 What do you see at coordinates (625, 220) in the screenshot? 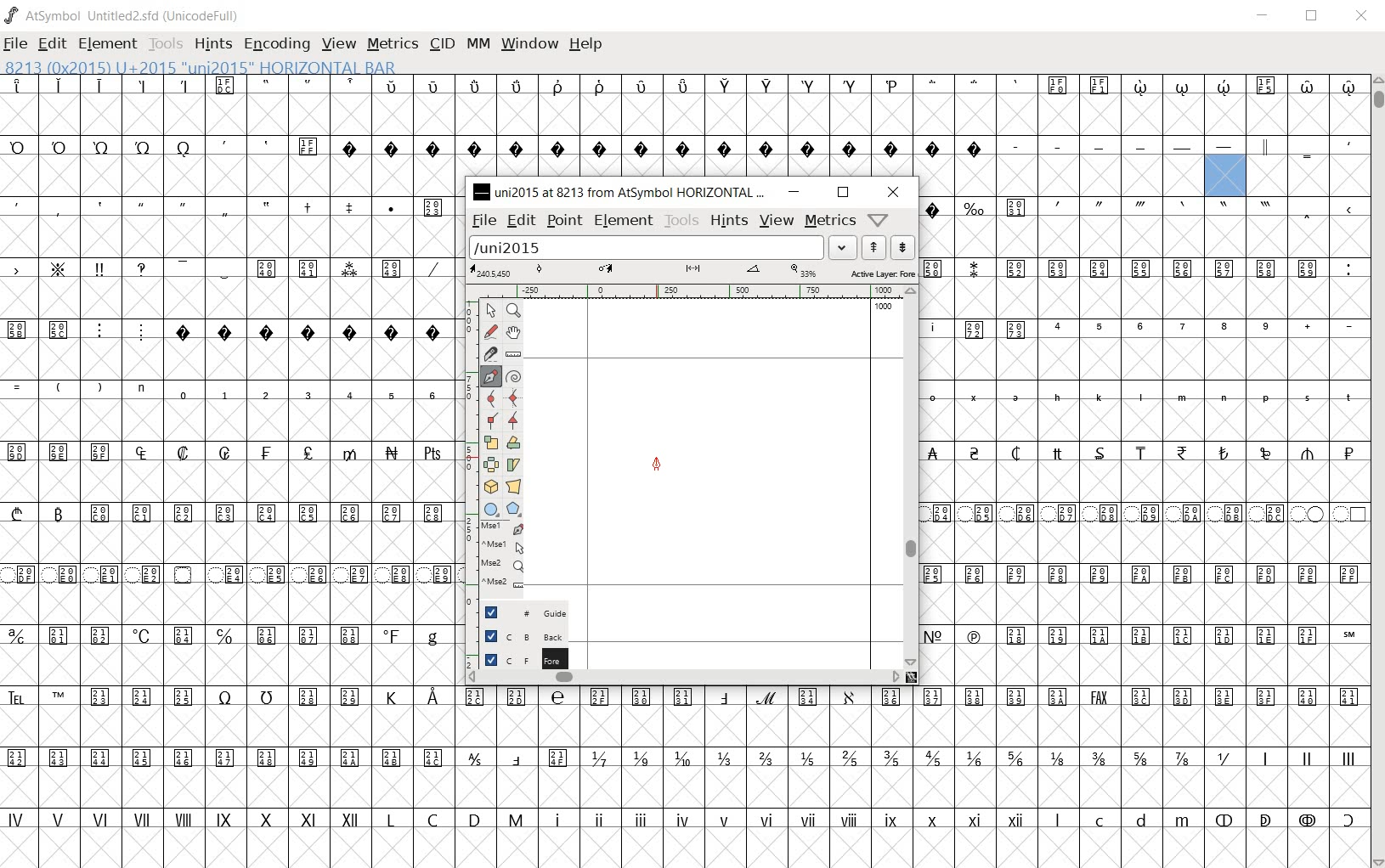
I see `element` at bounding box center [625, 220].